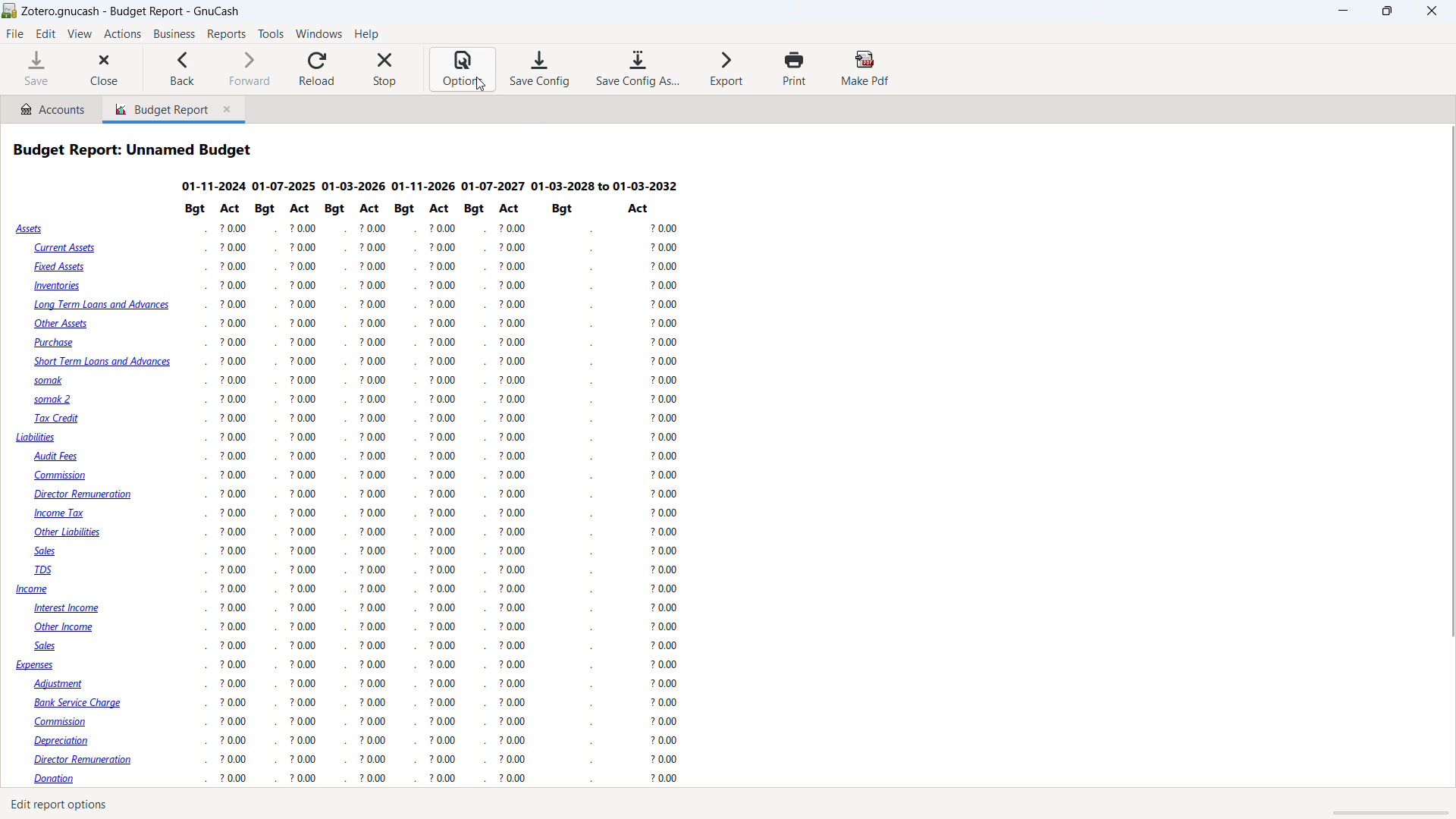  Describe the element at coordinates (157, 109) in the screenshot. I see `budget report tab` at that location.